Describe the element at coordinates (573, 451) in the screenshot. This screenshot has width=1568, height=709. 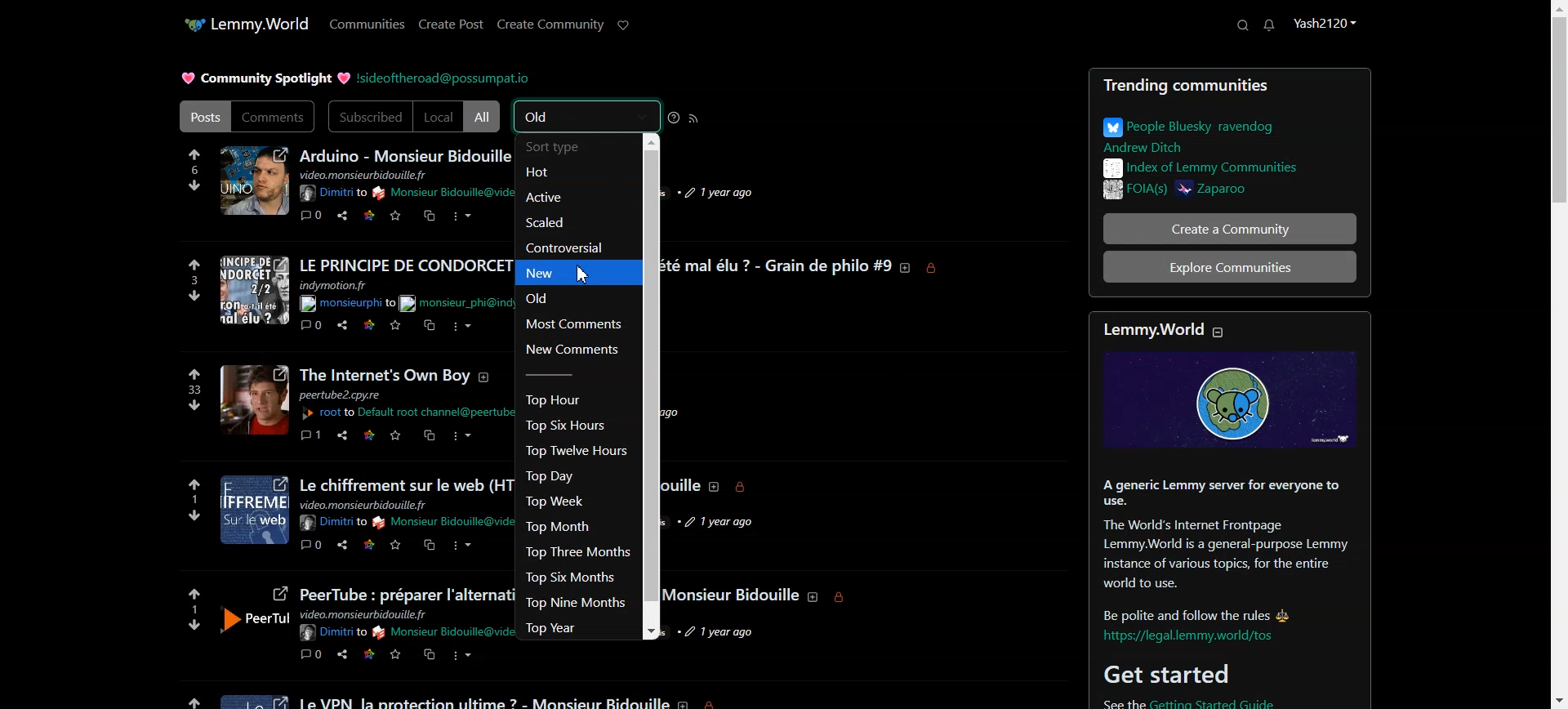
I see `Top Twelve Hours` at that location.